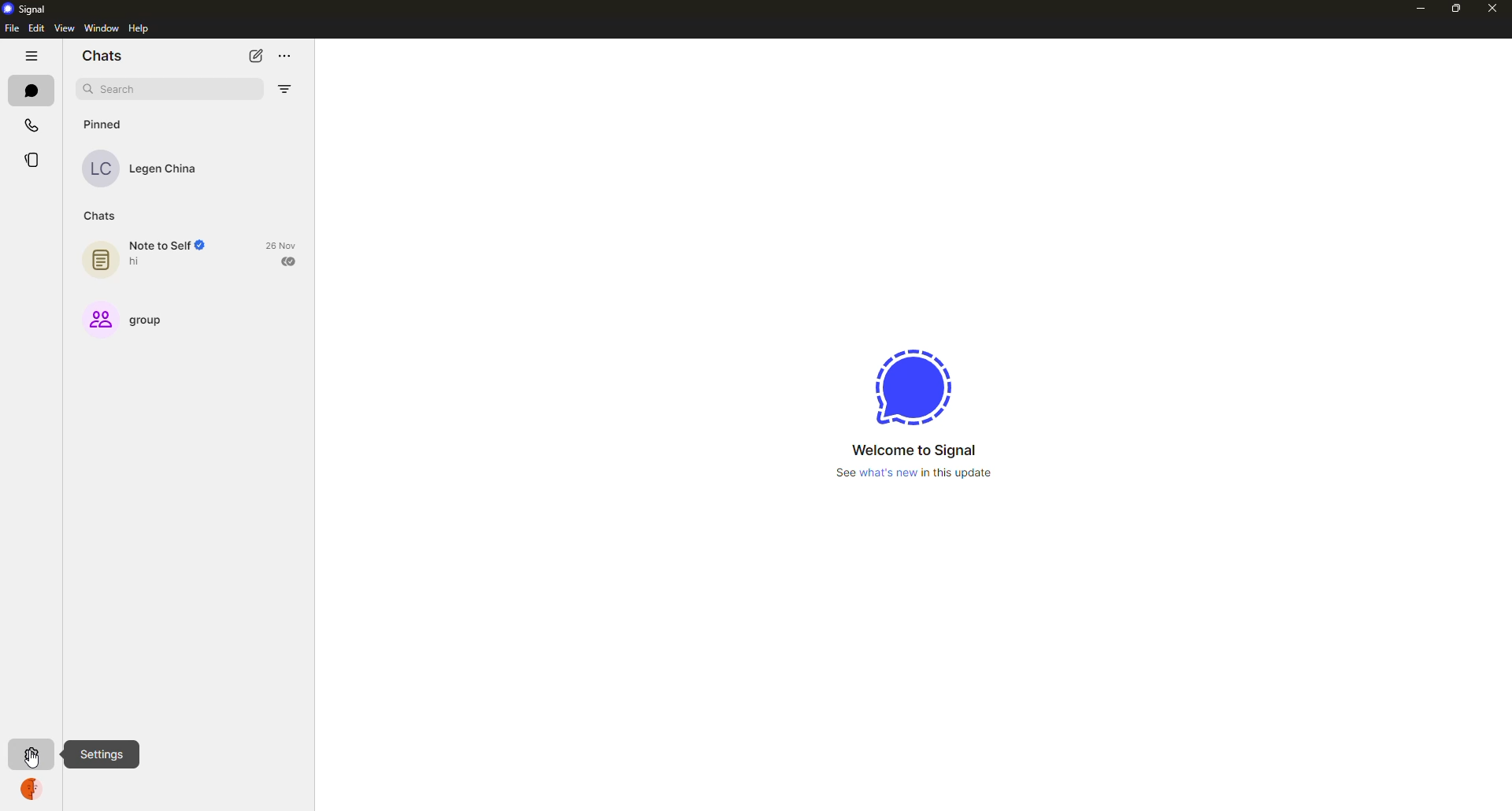 The height and width of the screenshot is (811, 1512). Describe the element at coordinates (31, 793) in the screenshot. I see `Profile` at that location.